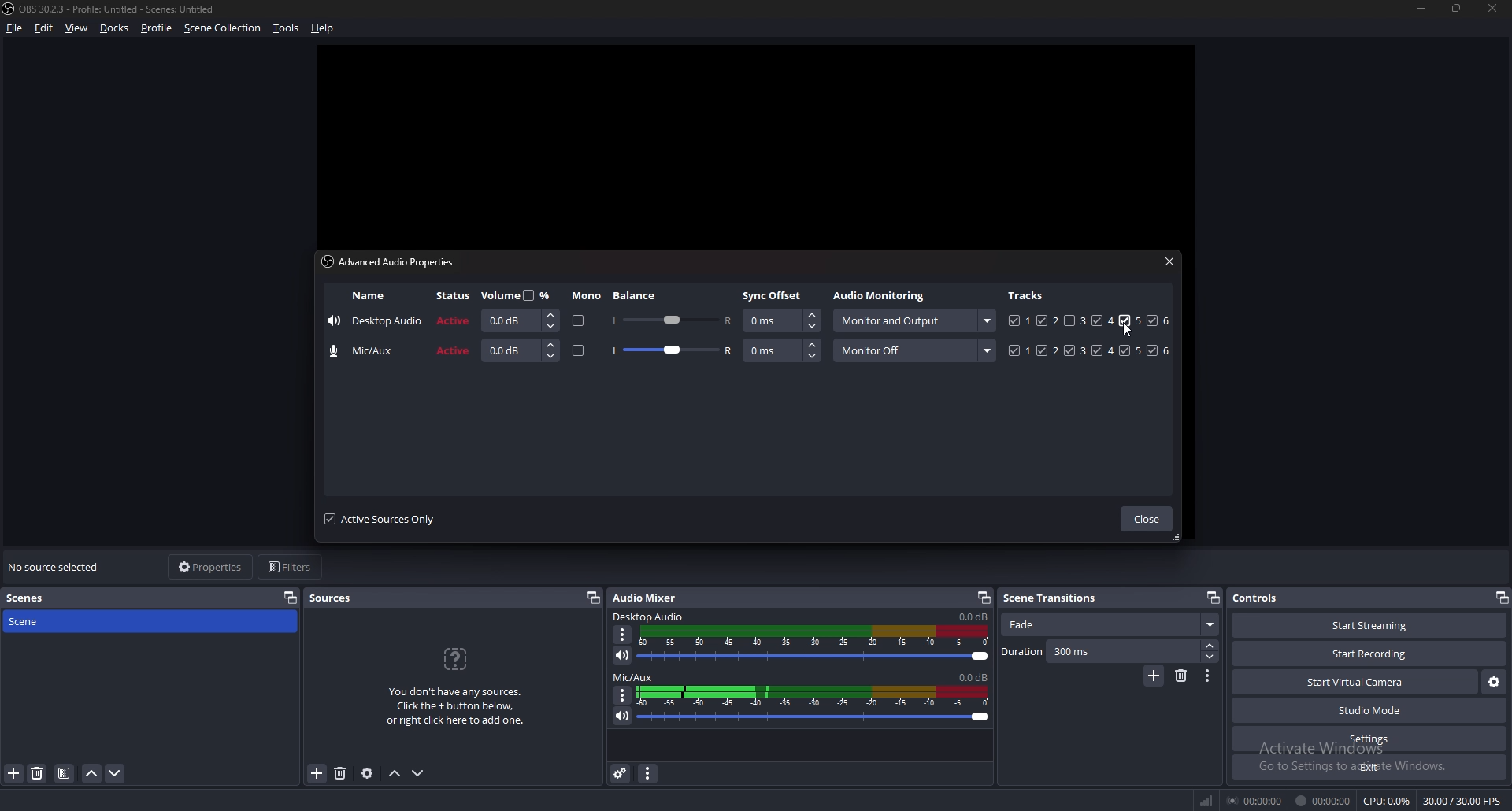 The image size is (1512, 811). I want to click on start virtual camera, so click(1354, 683).